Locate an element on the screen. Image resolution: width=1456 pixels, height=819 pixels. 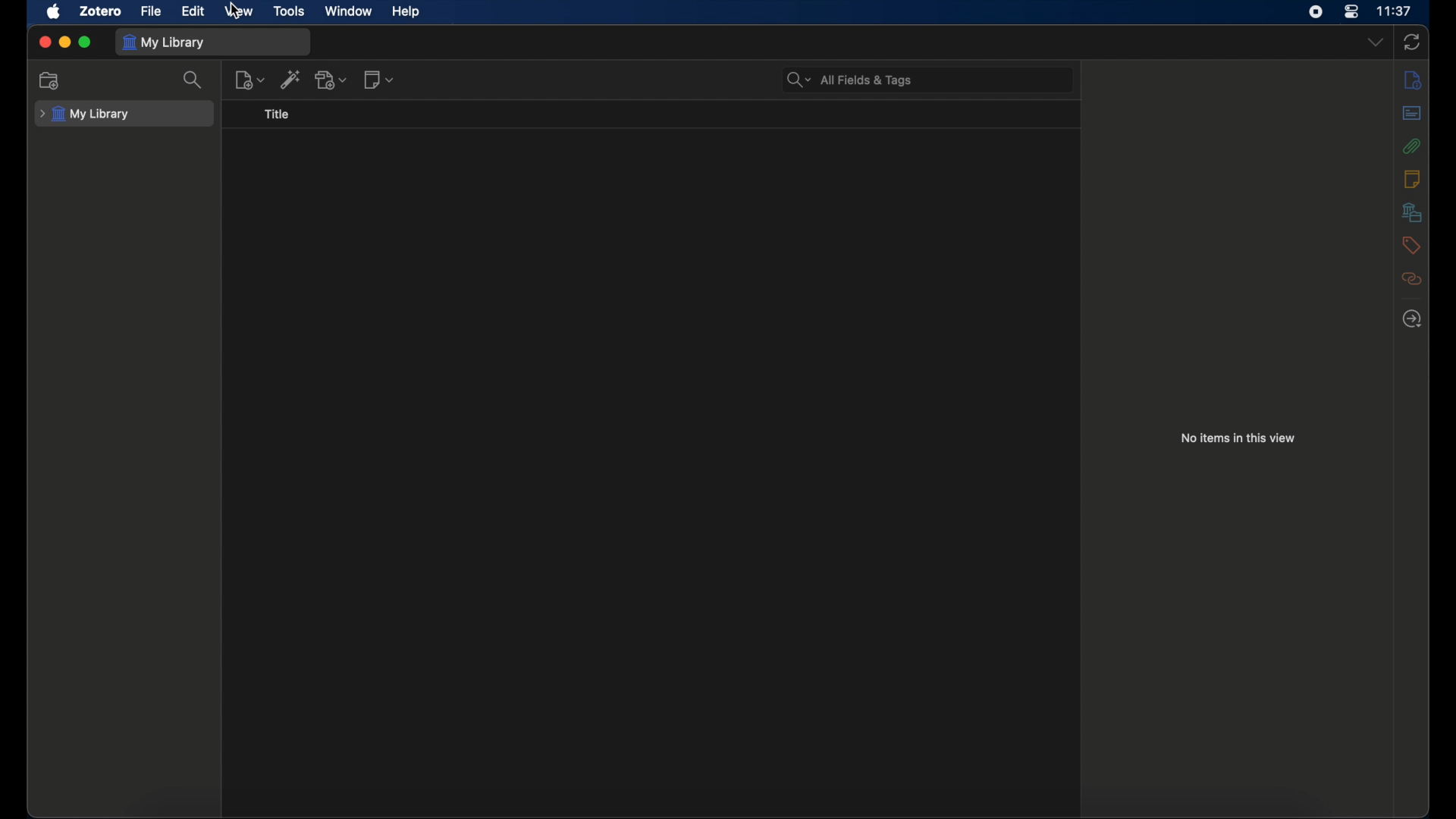
view is located at coordinates (241, 11).